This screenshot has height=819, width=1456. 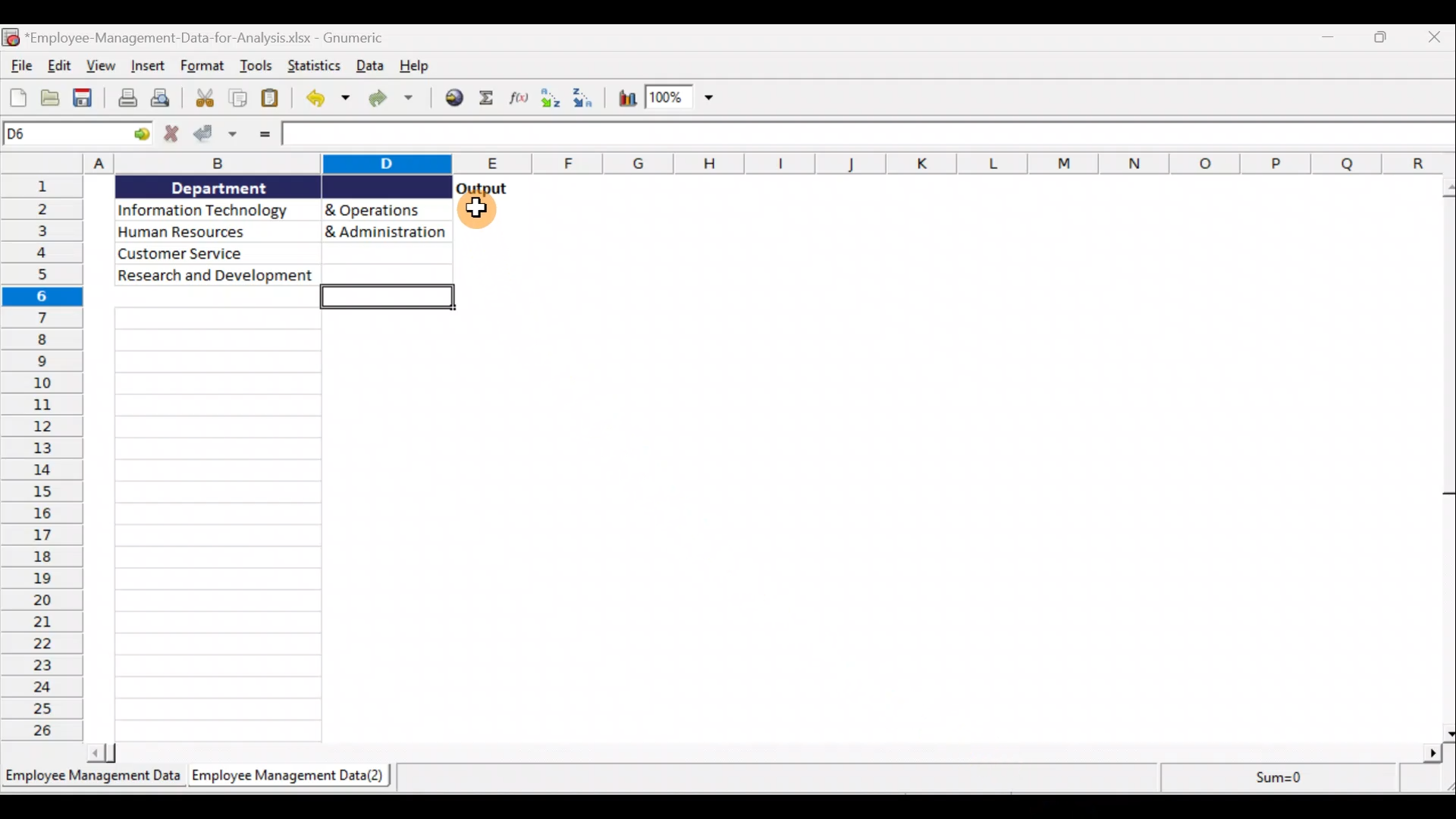 What do you see at coordinates (588, 96) in the screenshot?
I see `Sort Descending` at bounding box center [588, 96].